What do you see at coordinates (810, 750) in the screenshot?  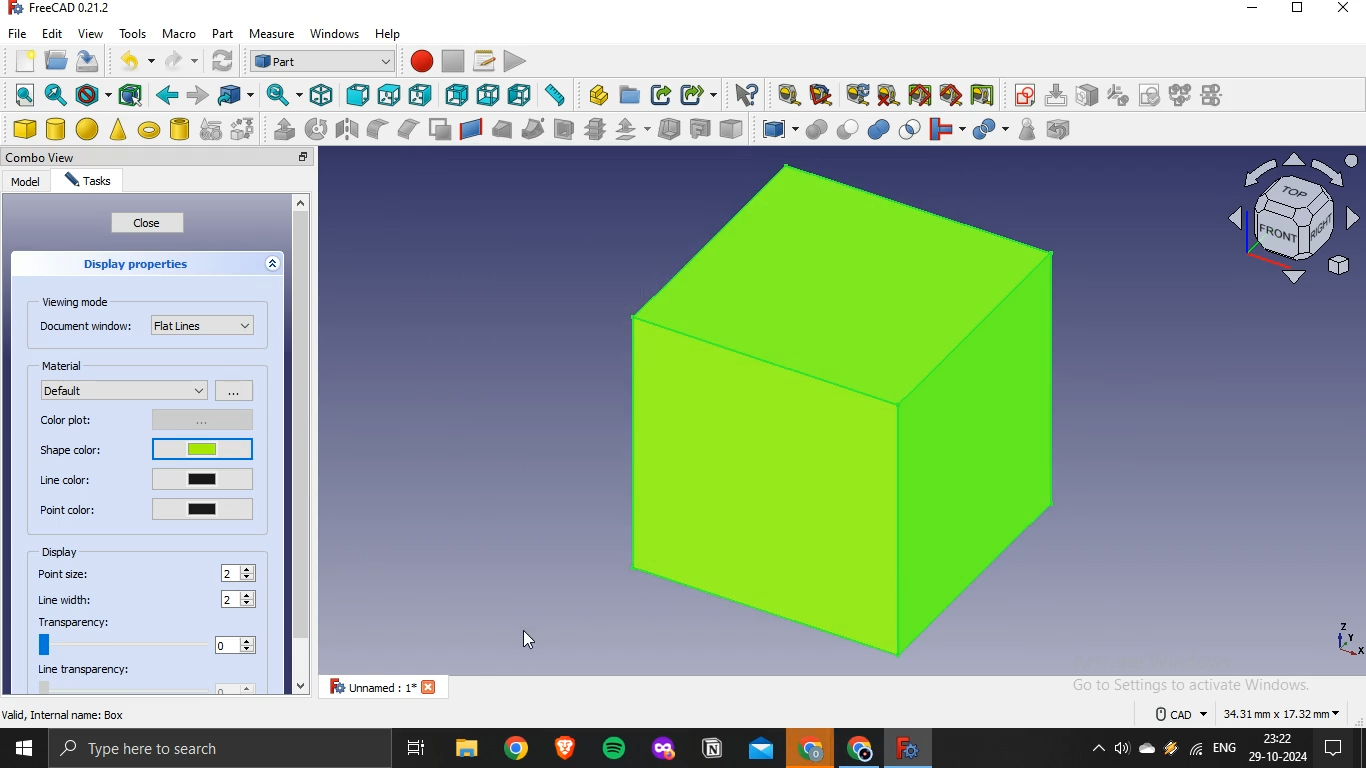 I see `google chrome` at bounding box center [810, 750].